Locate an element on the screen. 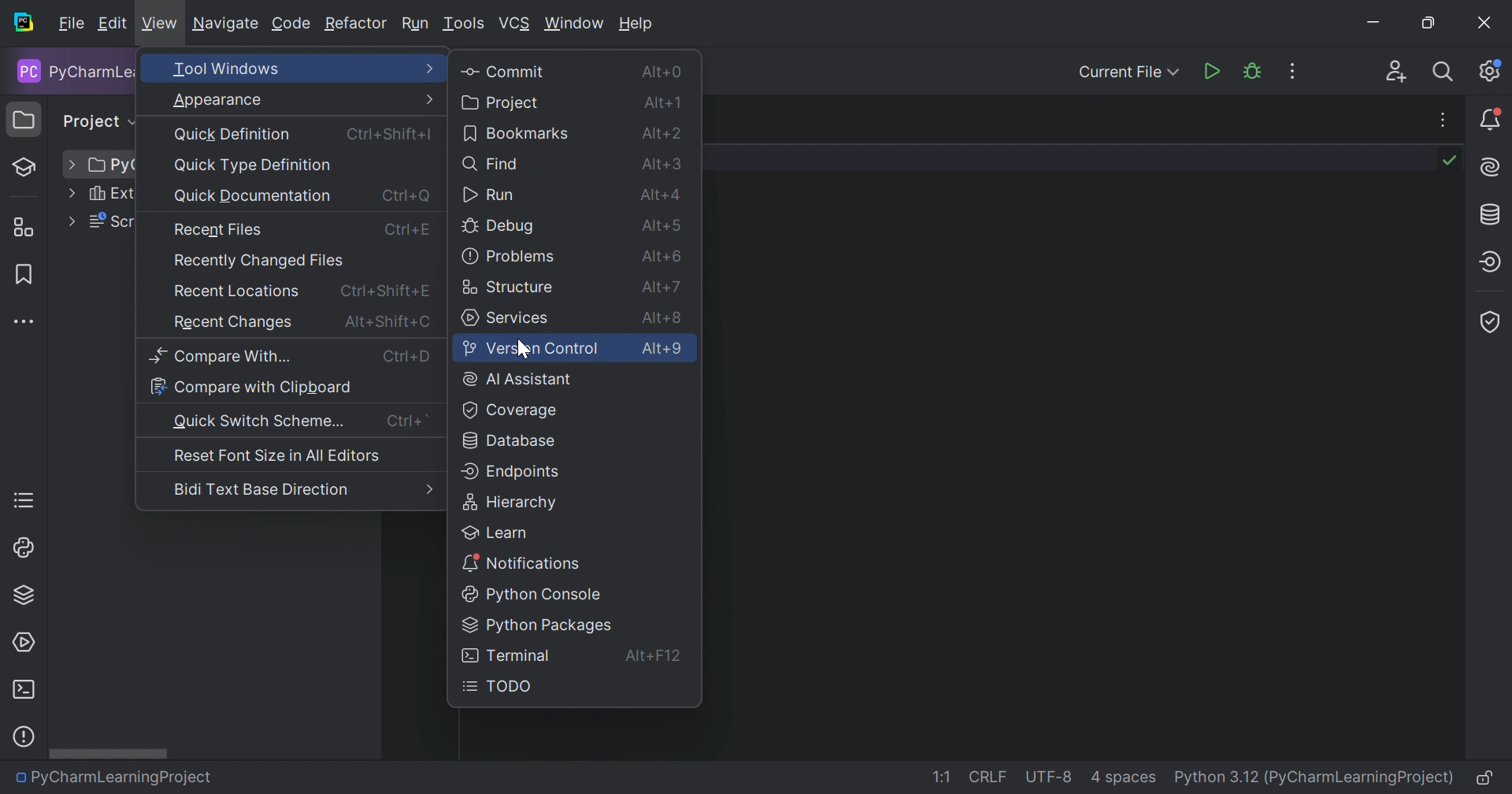  Alt+8 is located at coordinates (664, 314).